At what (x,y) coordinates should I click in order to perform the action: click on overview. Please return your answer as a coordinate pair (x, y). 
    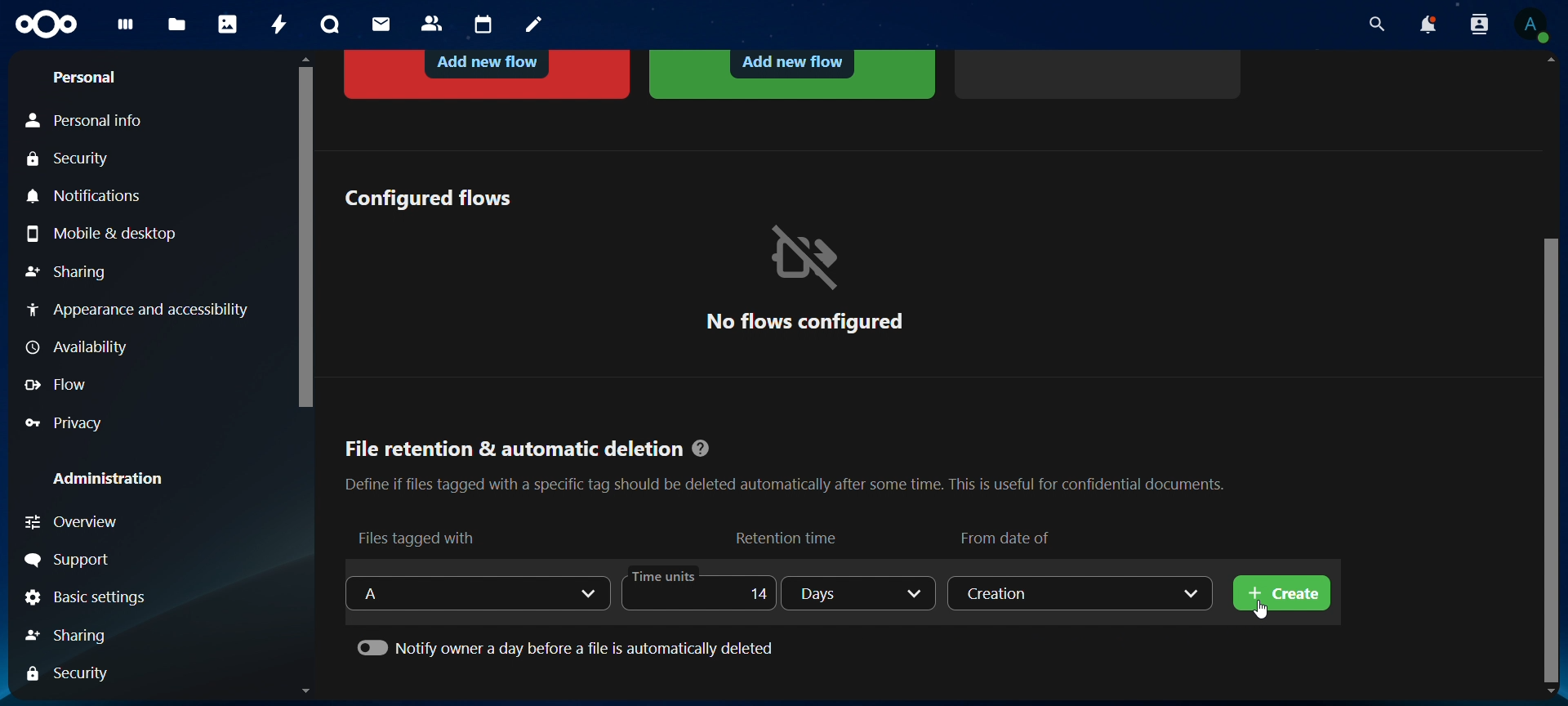
    Looking at the image, I should click on (104, 522).